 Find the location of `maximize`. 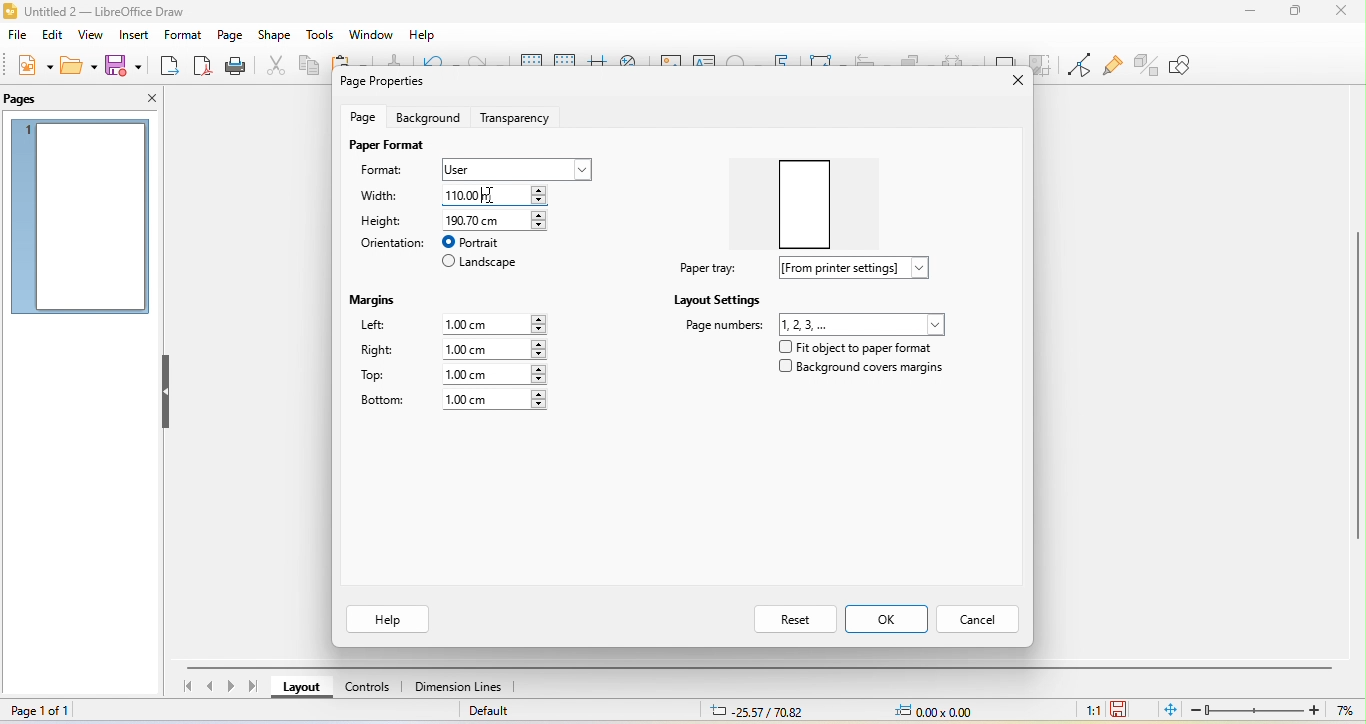

maximize is located at coordinates (1294, 12).